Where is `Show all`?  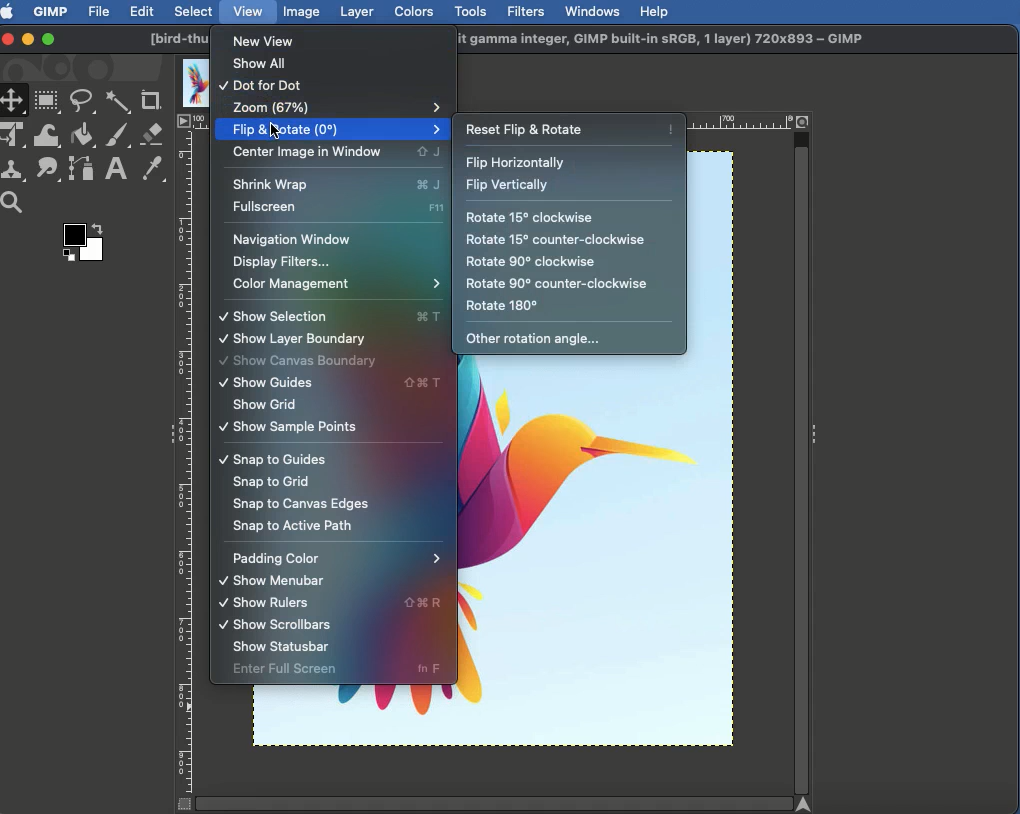
Show all is located at coordinates (262, 67).